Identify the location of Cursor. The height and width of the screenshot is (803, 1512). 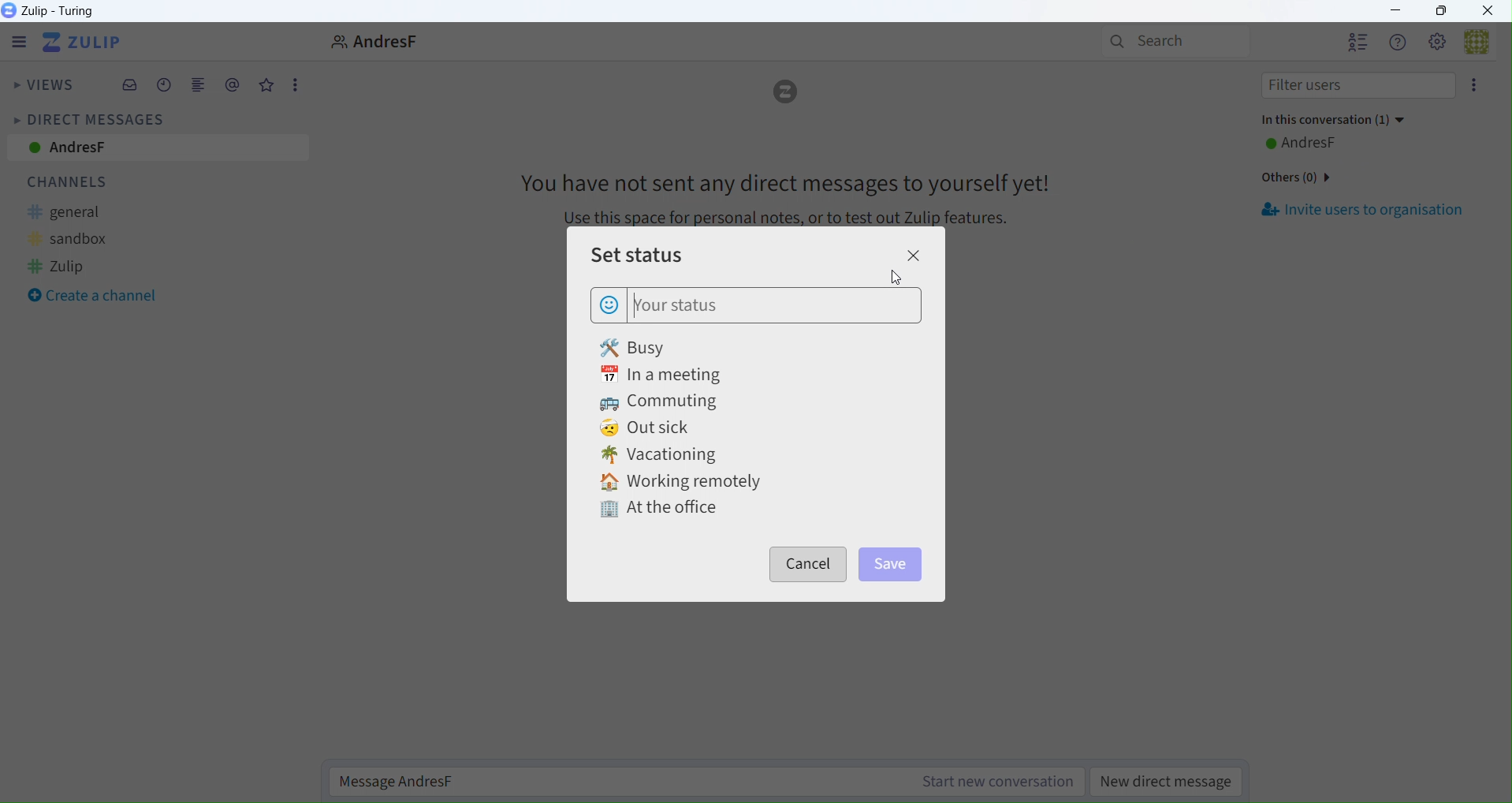
(899, 278).